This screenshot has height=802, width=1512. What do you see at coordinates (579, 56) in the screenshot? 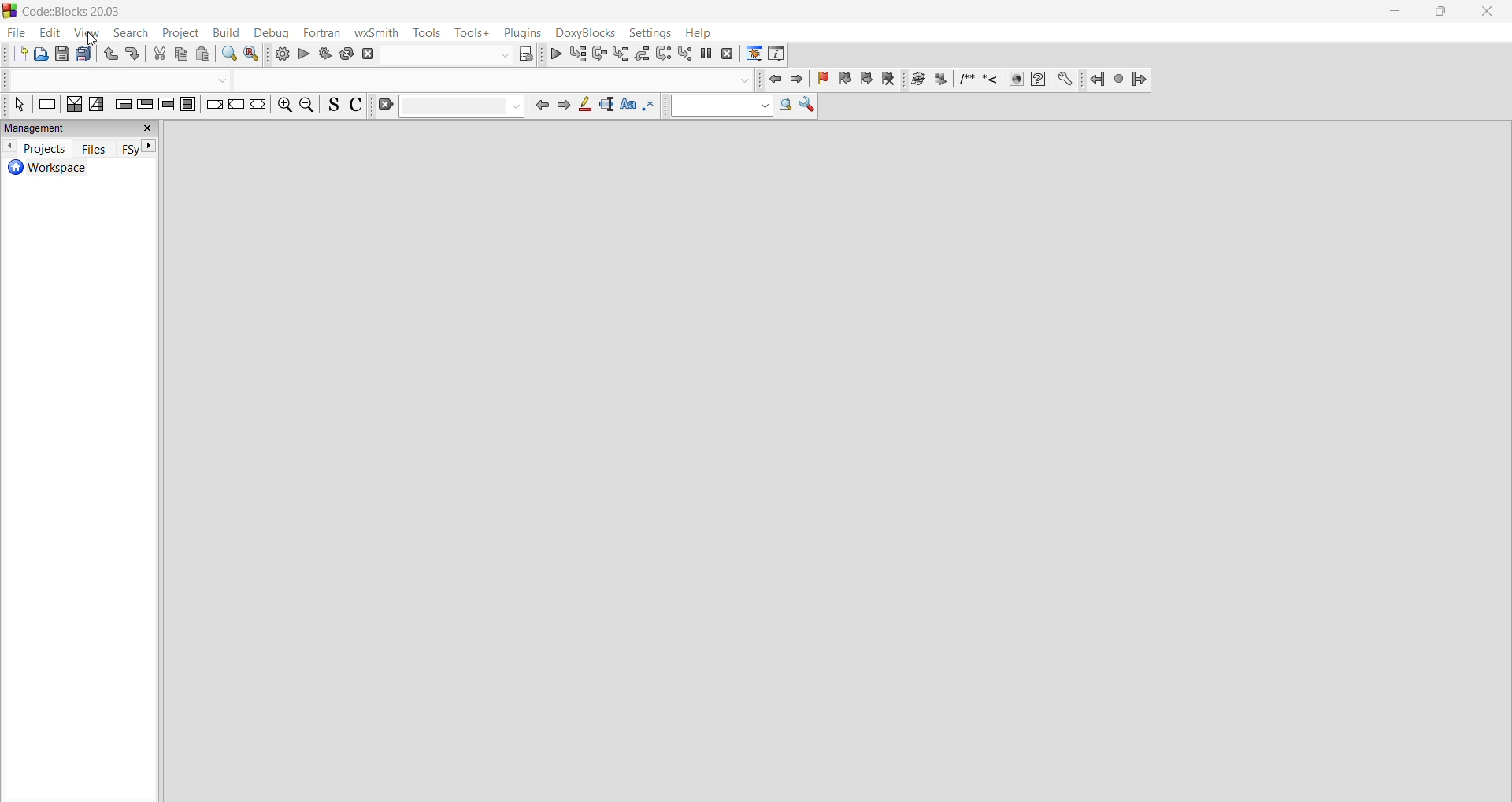
I see `run to cursor` at bounding box center [579, 56].